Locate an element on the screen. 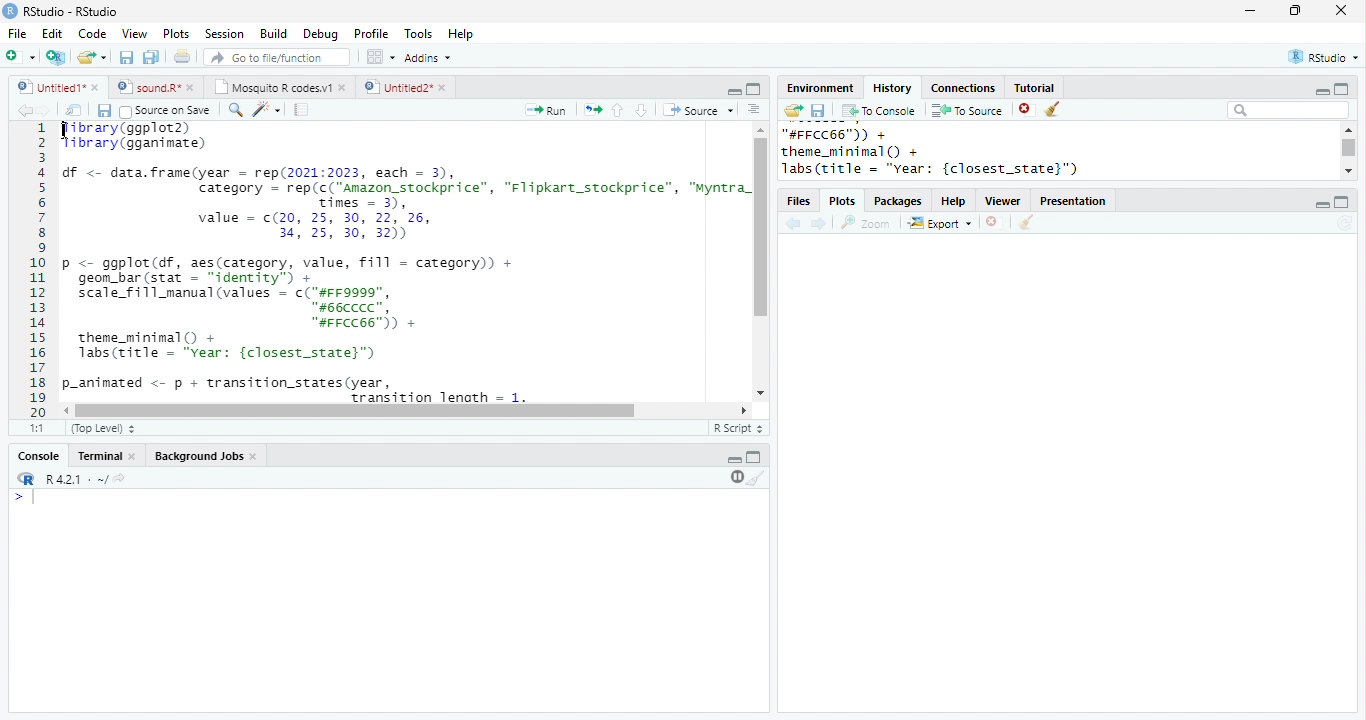 The height and width of the screenshot is (720, 1366). scroll left is located at coordinates (744, 410).